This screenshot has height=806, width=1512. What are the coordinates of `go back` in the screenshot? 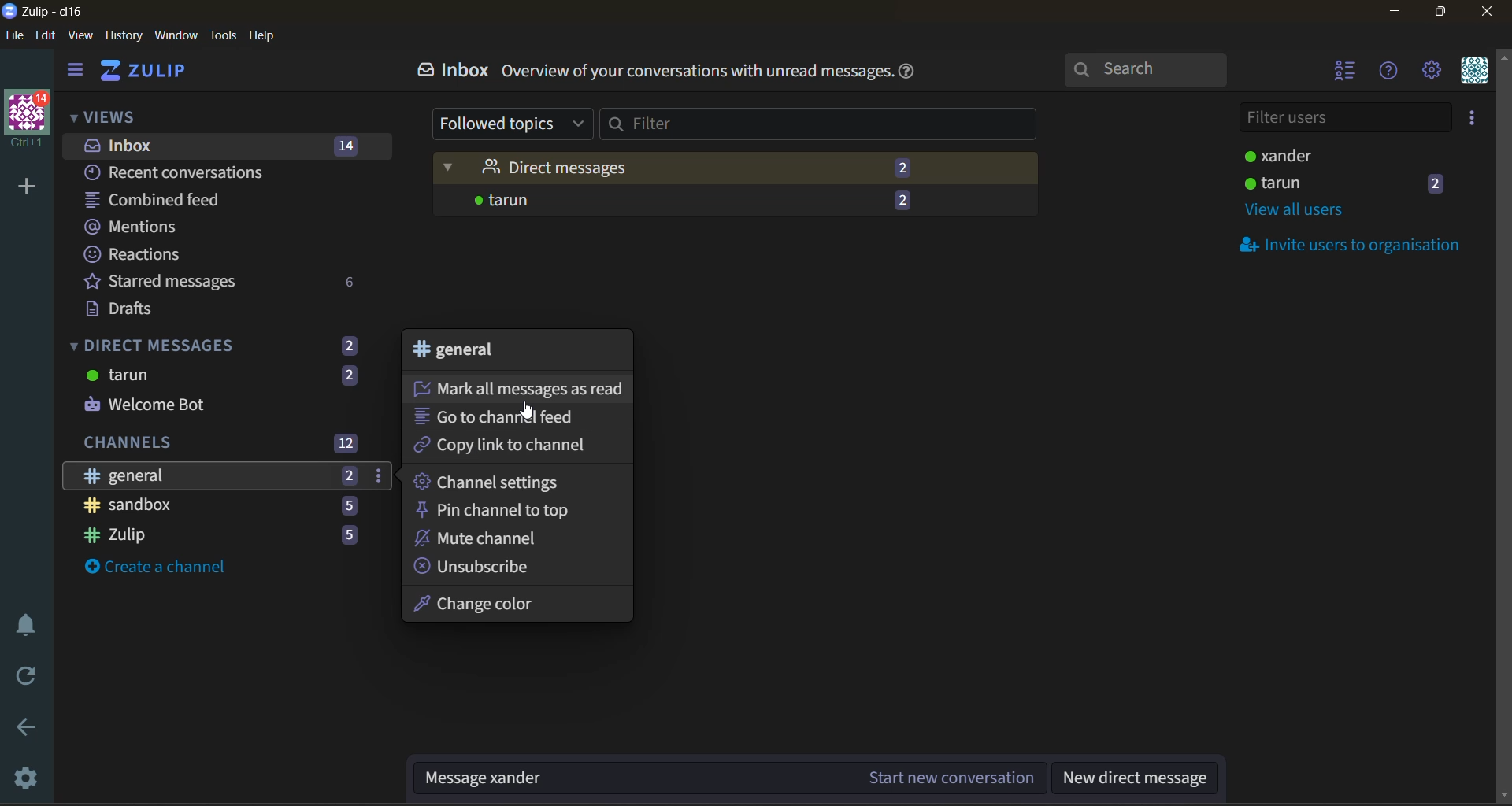 It's located at (31, 728).